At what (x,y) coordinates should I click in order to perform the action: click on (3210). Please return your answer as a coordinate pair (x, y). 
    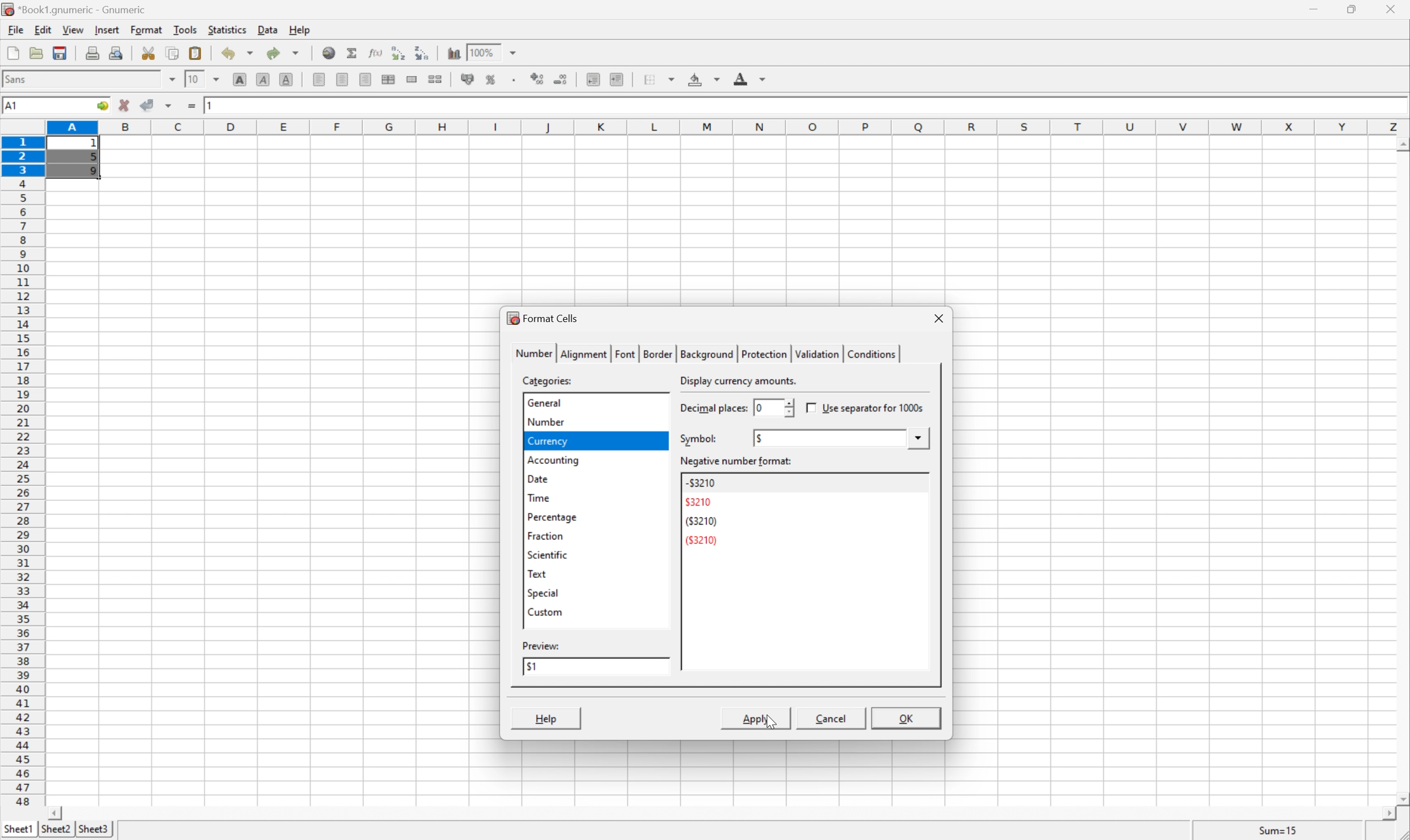
    Looking at the image, I should click on (702, 540).